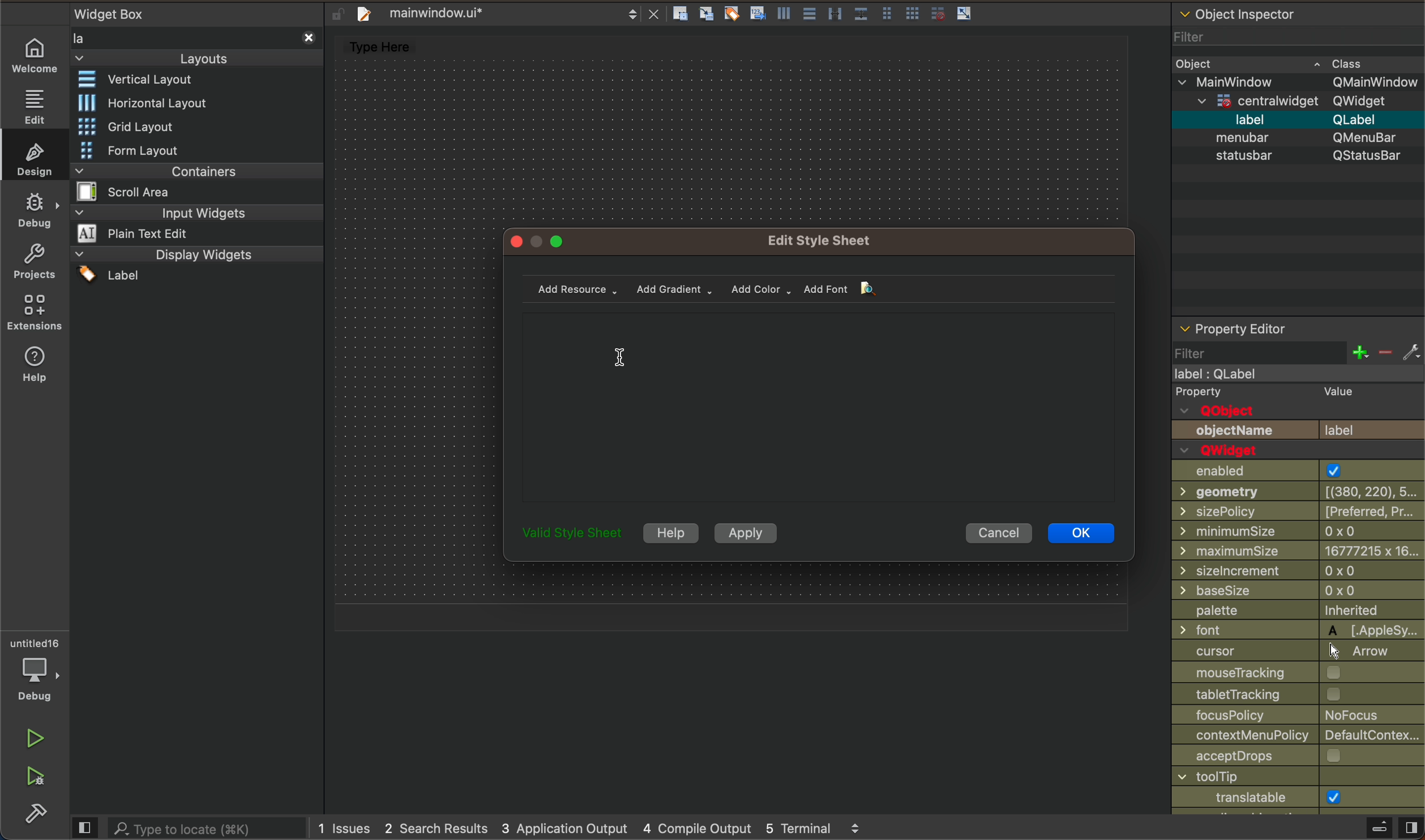 This screenshot has height=840, width=1425. I want to click on 2 search result, so click(441, 828).